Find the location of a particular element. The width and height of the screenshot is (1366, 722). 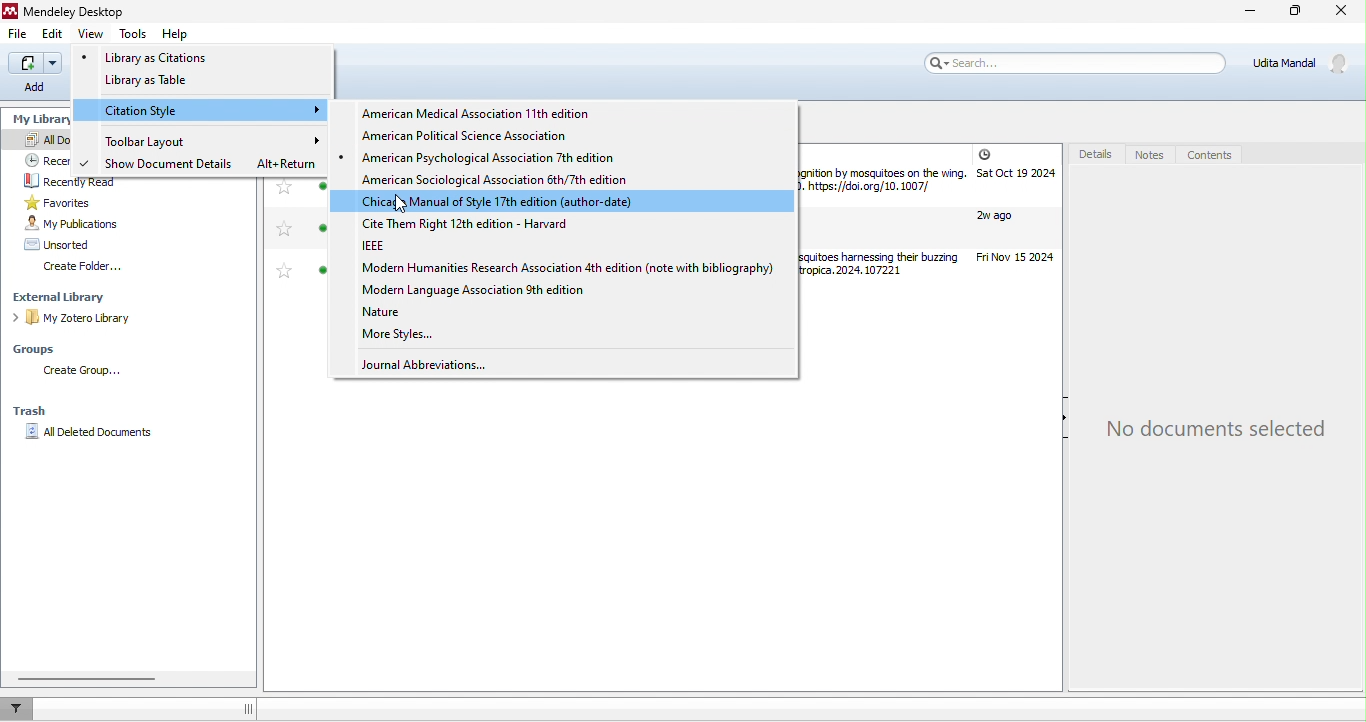

external library is located at coordinates (70, 298).